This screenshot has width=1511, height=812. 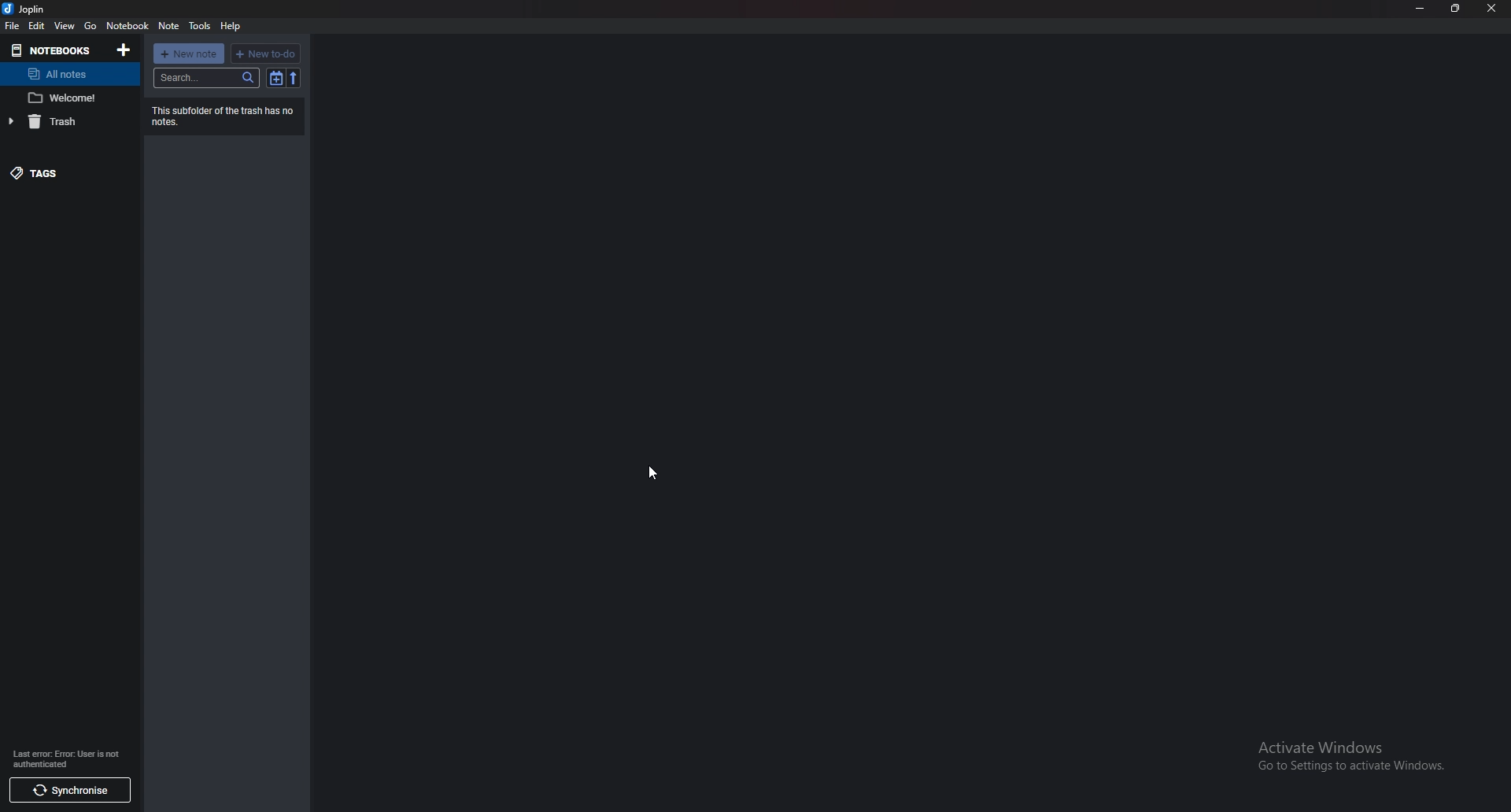 What do you see at coordinates (127, 50) in the screenshot?
I see `add notebook` at bounding box center [127, 50].